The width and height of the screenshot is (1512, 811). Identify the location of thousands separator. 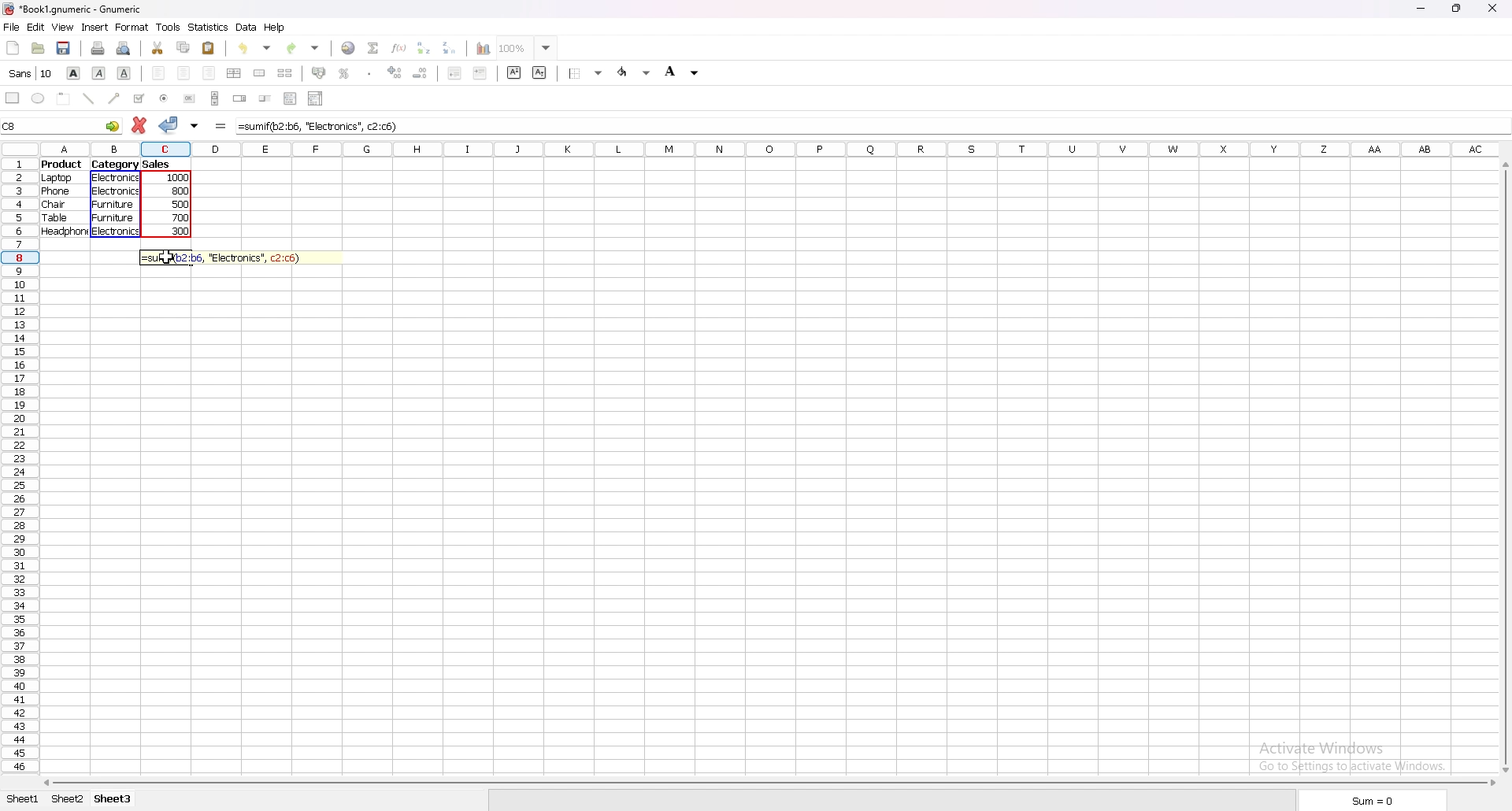
(368, 73).